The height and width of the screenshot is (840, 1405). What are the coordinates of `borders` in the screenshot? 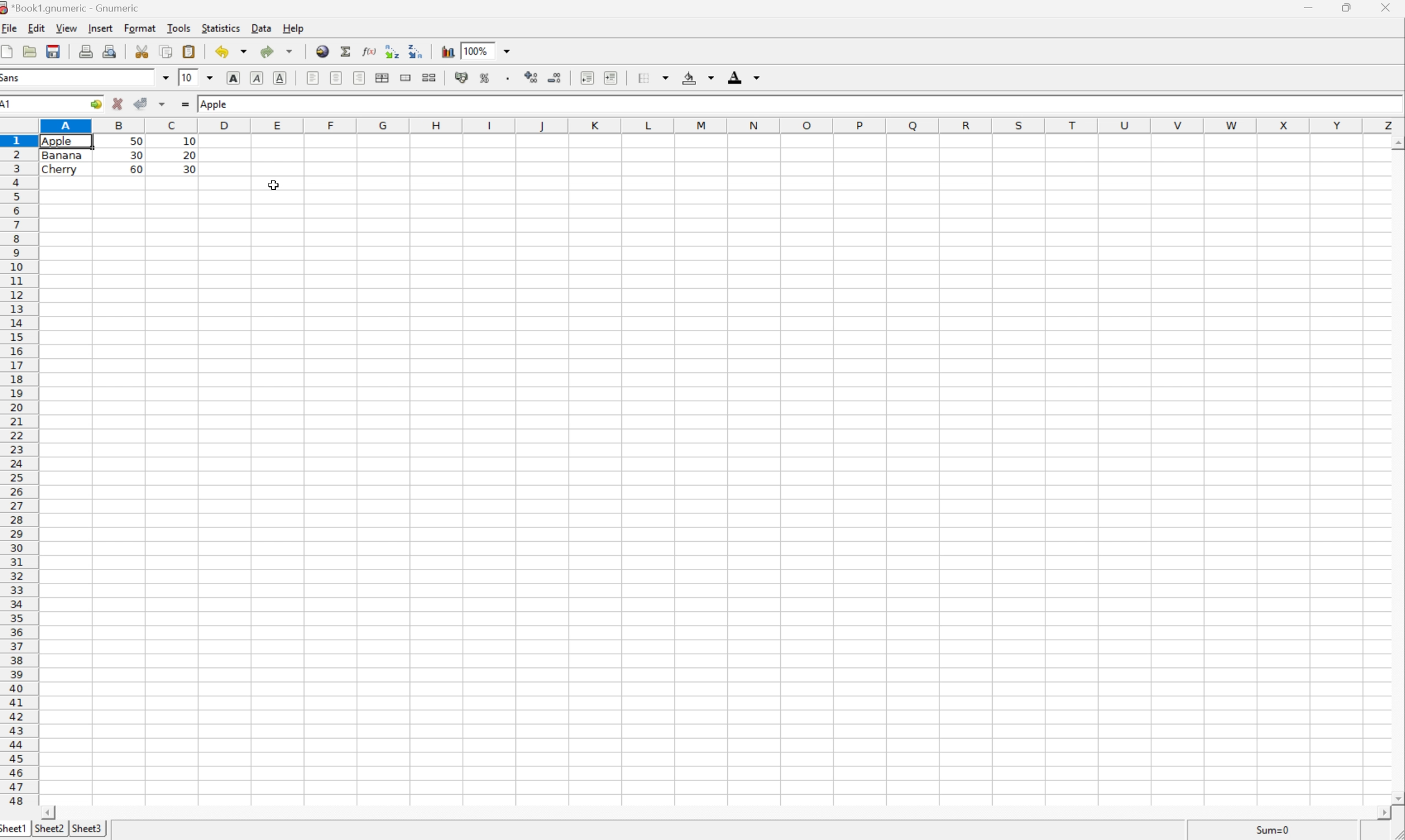 It's located at (654, 78).